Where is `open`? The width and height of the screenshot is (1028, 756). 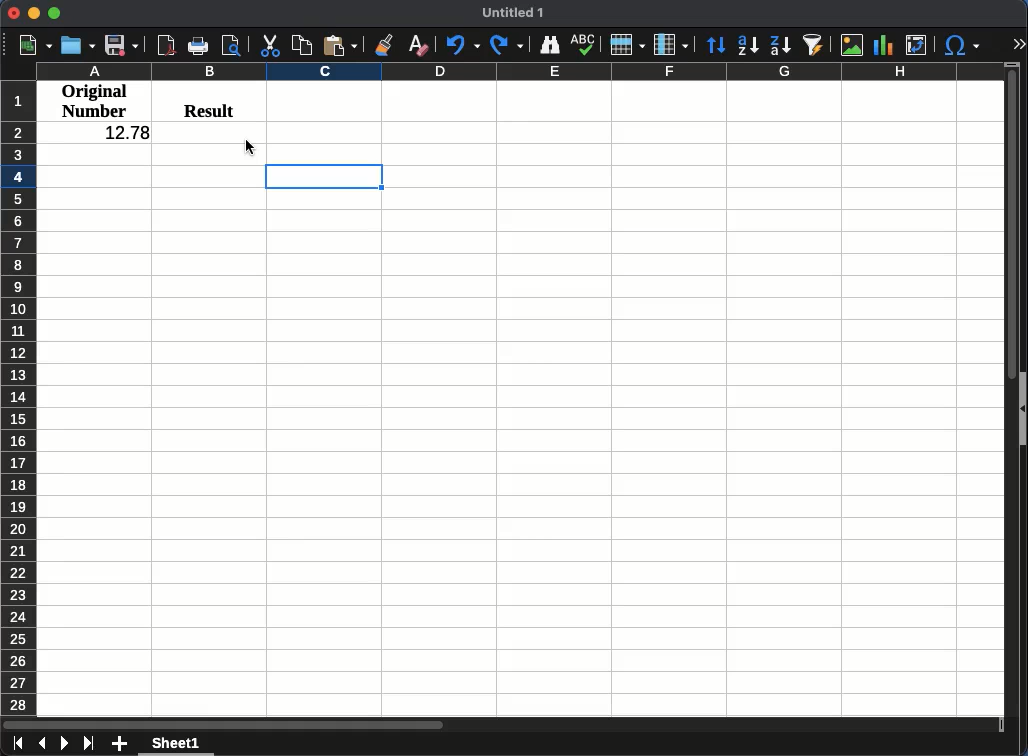
open is located at coordinates (80, 45).